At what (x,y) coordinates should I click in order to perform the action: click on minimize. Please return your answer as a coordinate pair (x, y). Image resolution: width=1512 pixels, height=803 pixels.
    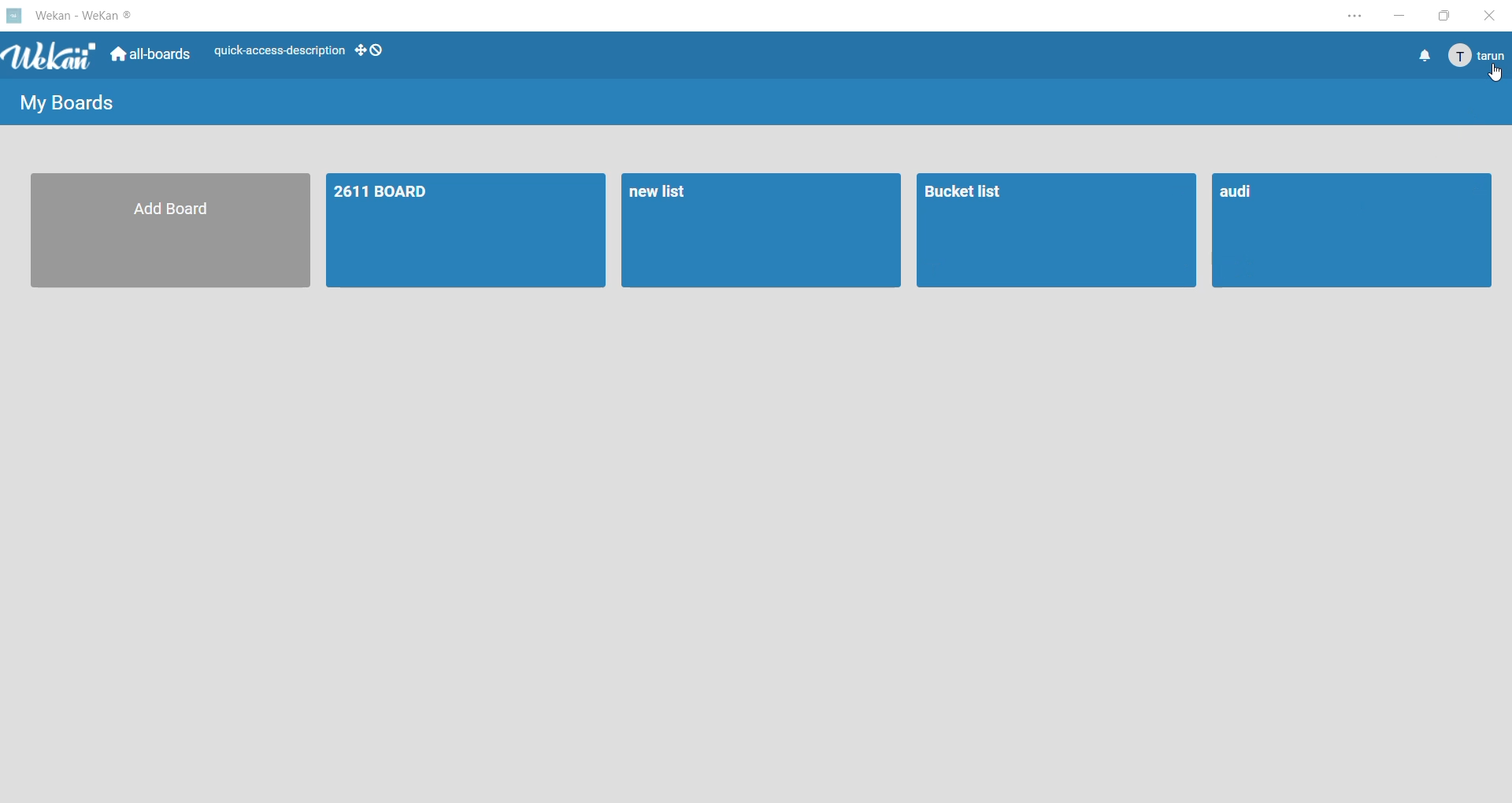
    Looking at the image, I should click on (1395, 16).